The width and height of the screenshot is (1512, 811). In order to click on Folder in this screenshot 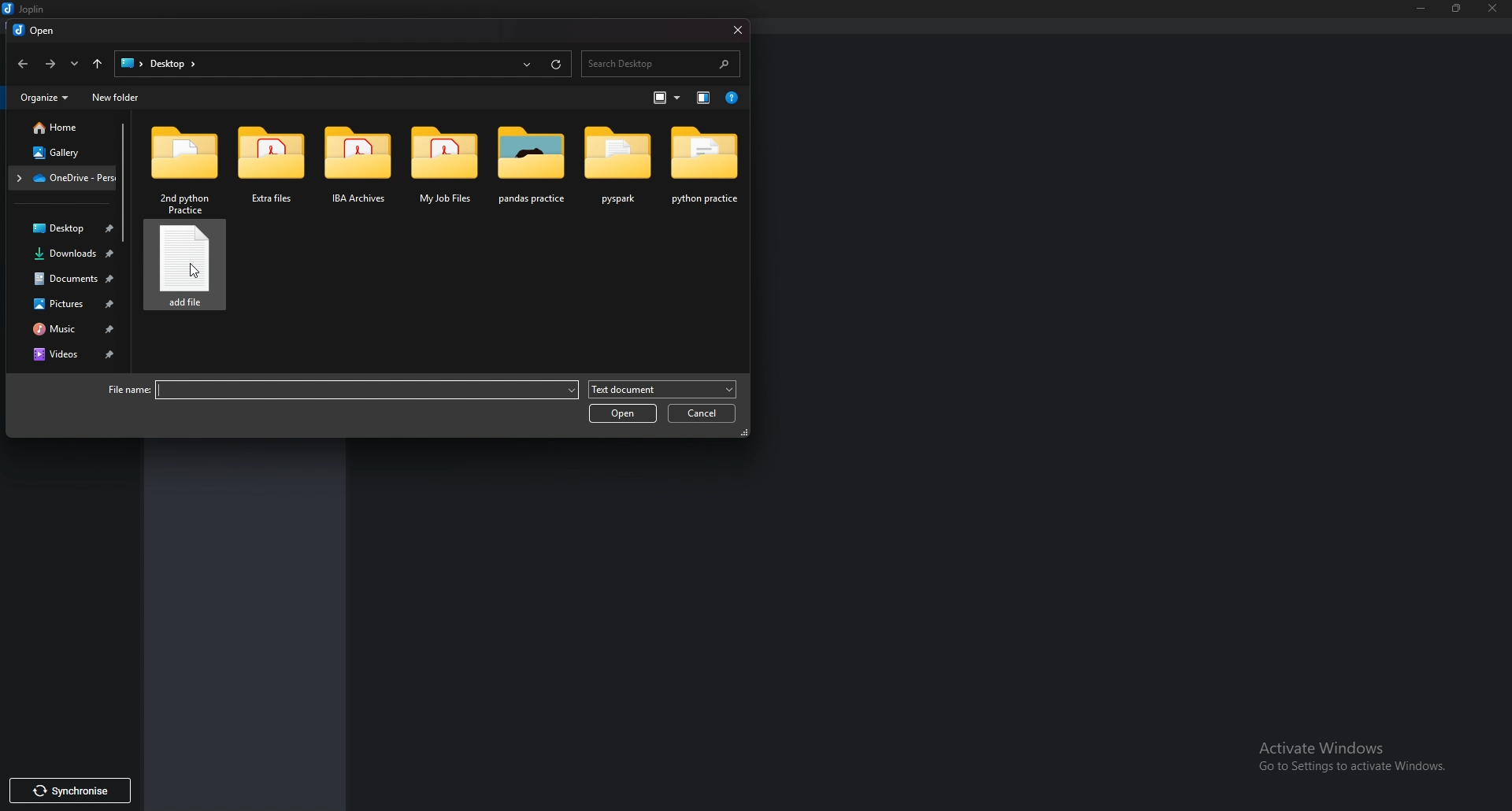, I will do `click(443, 164)`.